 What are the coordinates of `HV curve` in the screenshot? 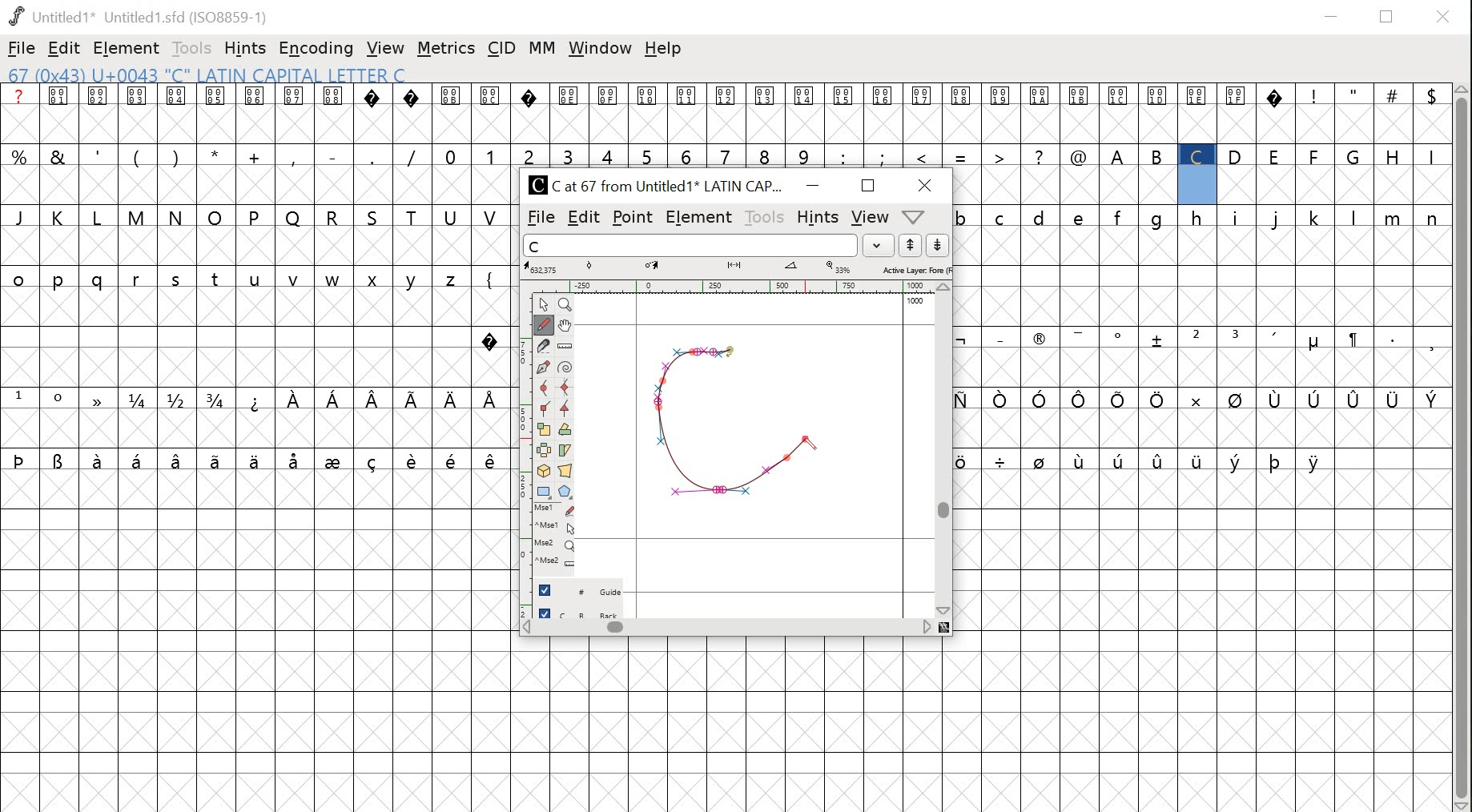 It's located at (567, 389).